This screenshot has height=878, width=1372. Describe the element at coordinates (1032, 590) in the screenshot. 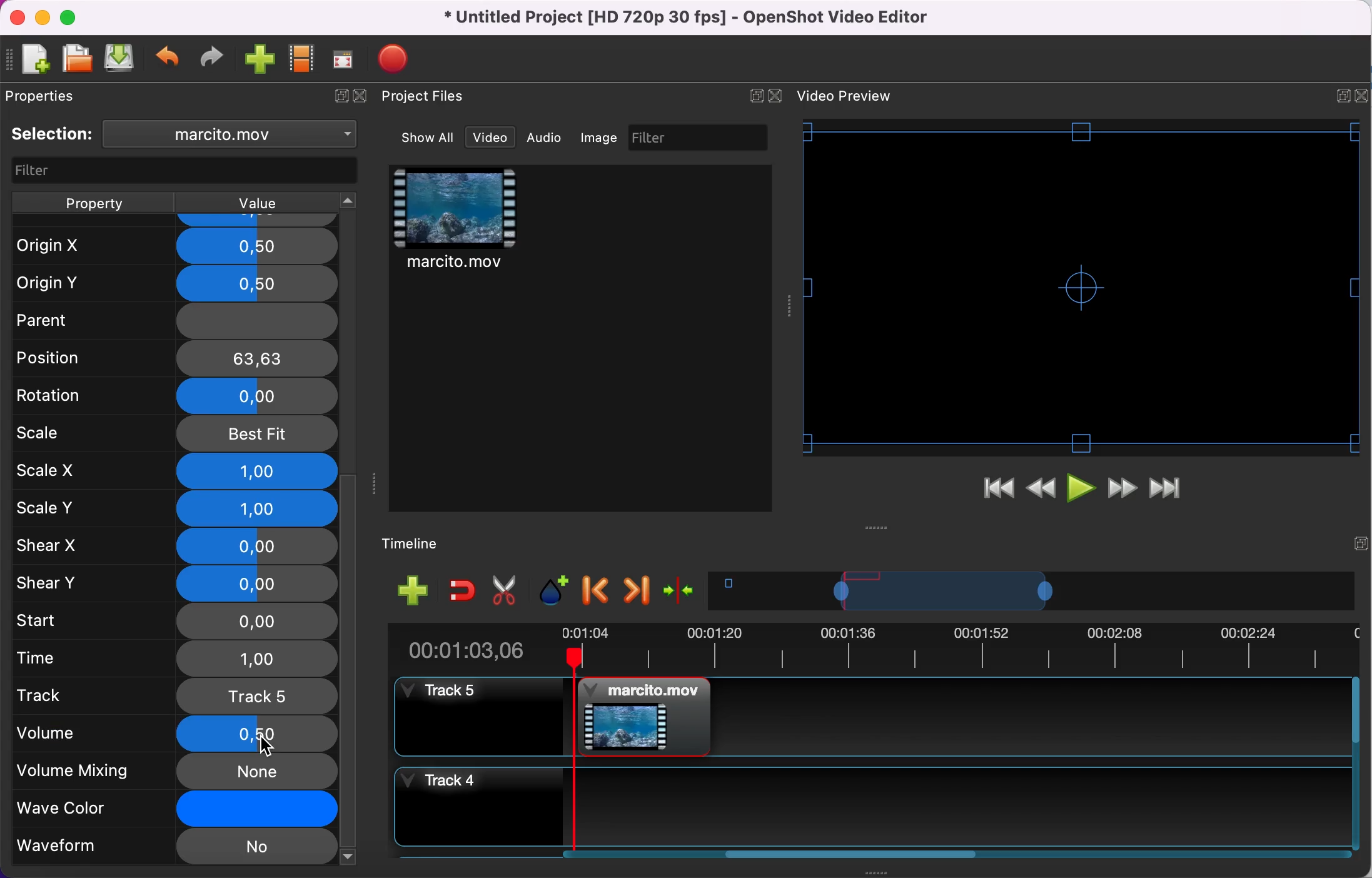

I see `timeline` at that location.